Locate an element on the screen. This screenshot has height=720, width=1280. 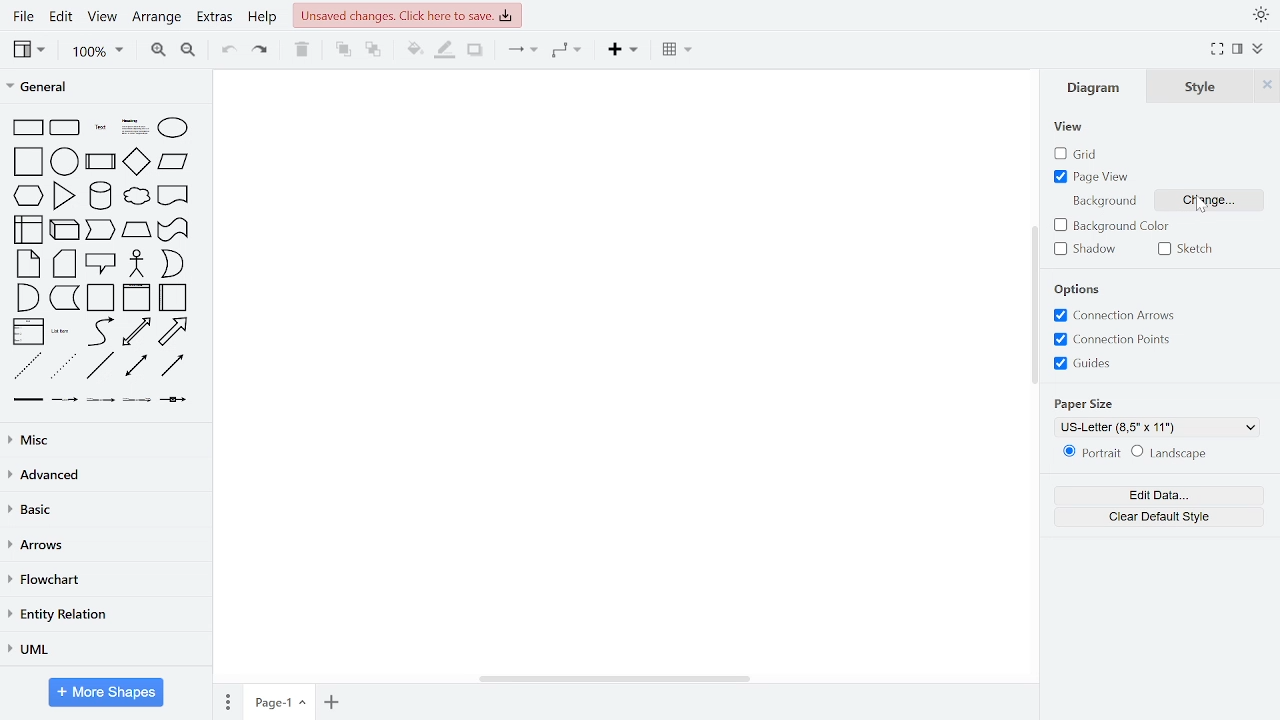
Paper size is located at coordinates (1091, 403).